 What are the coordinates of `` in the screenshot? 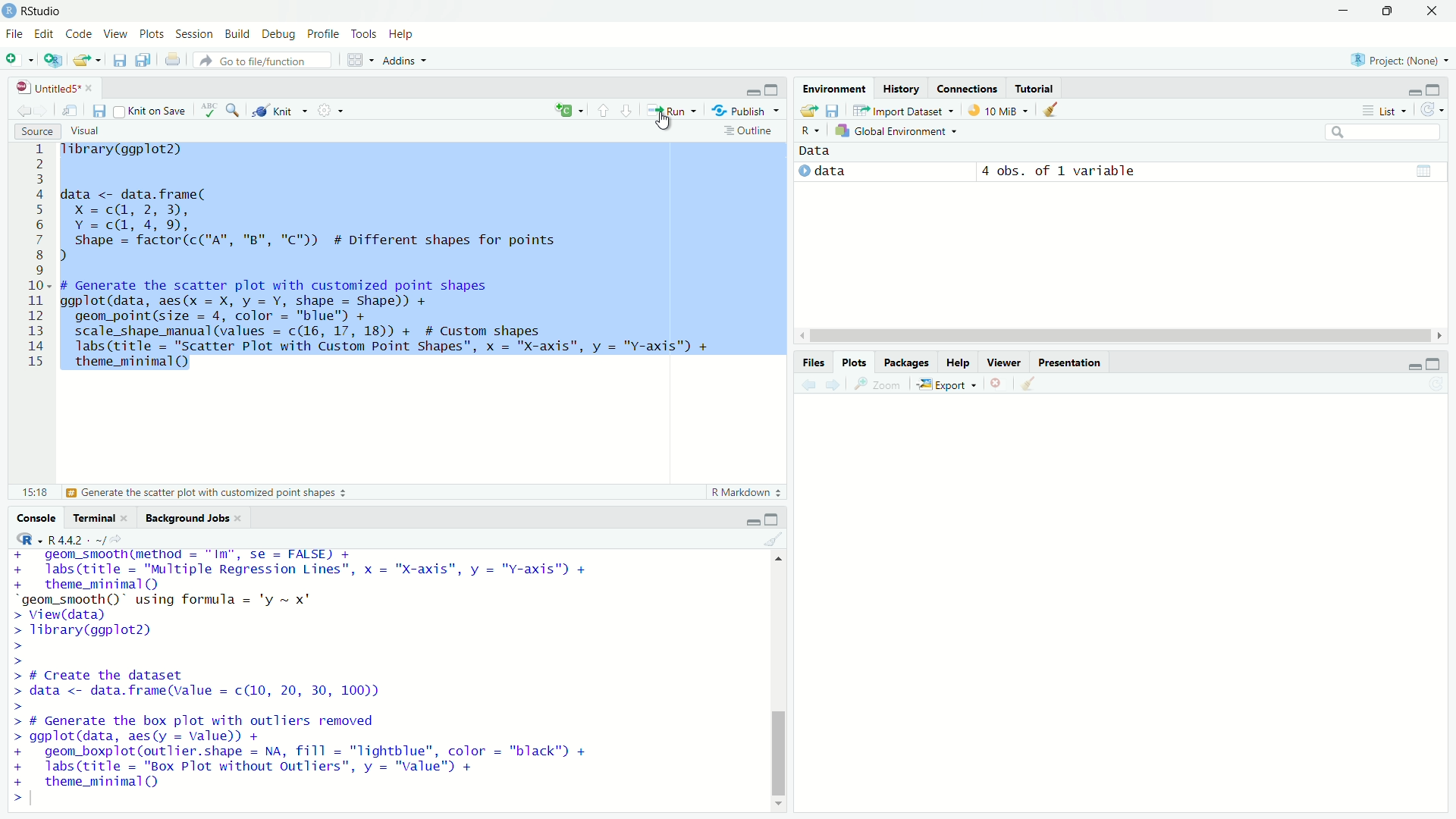 It's located at (1069, 362).